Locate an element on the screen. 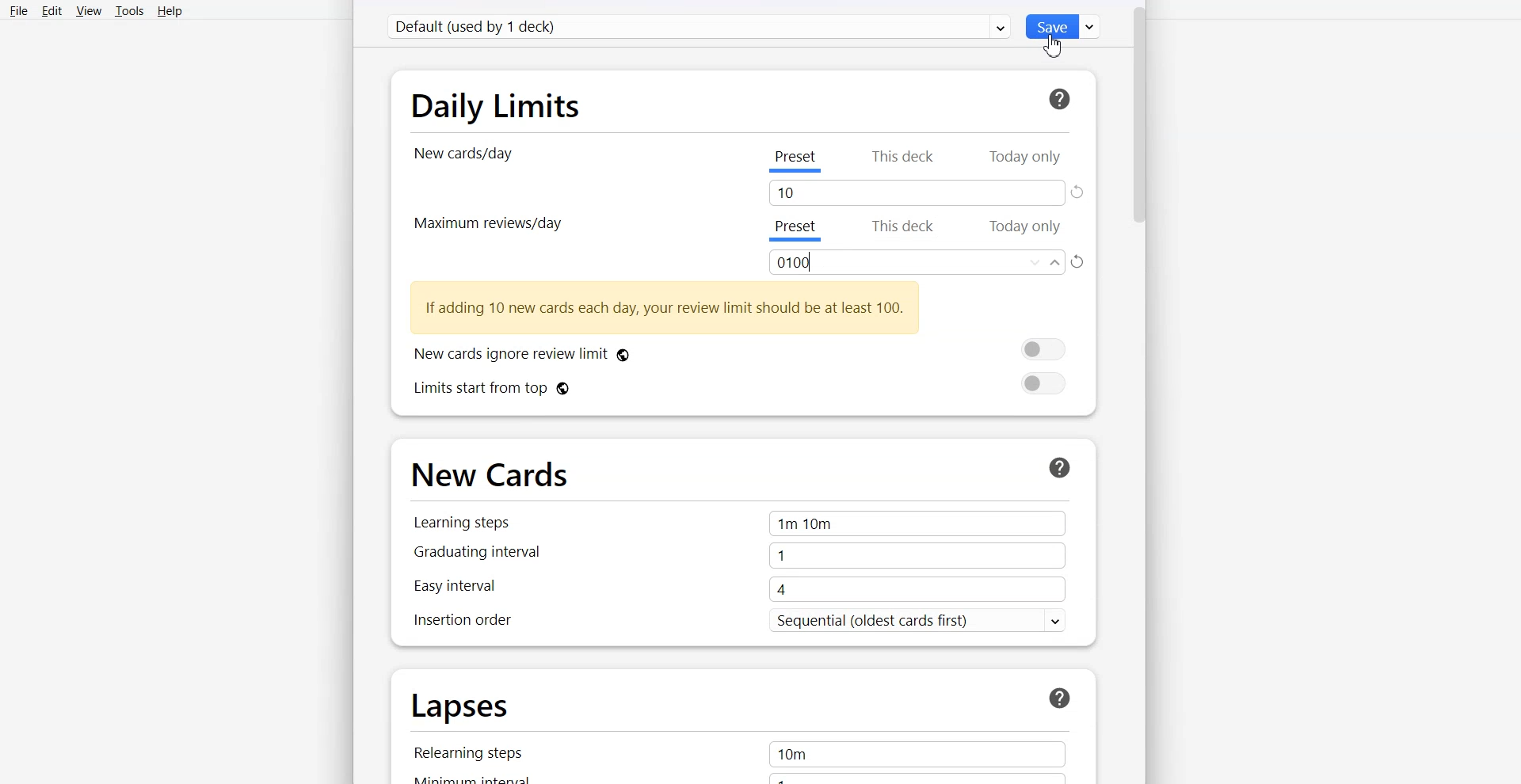  Maximum review/day is located at coordinates (486, 223).